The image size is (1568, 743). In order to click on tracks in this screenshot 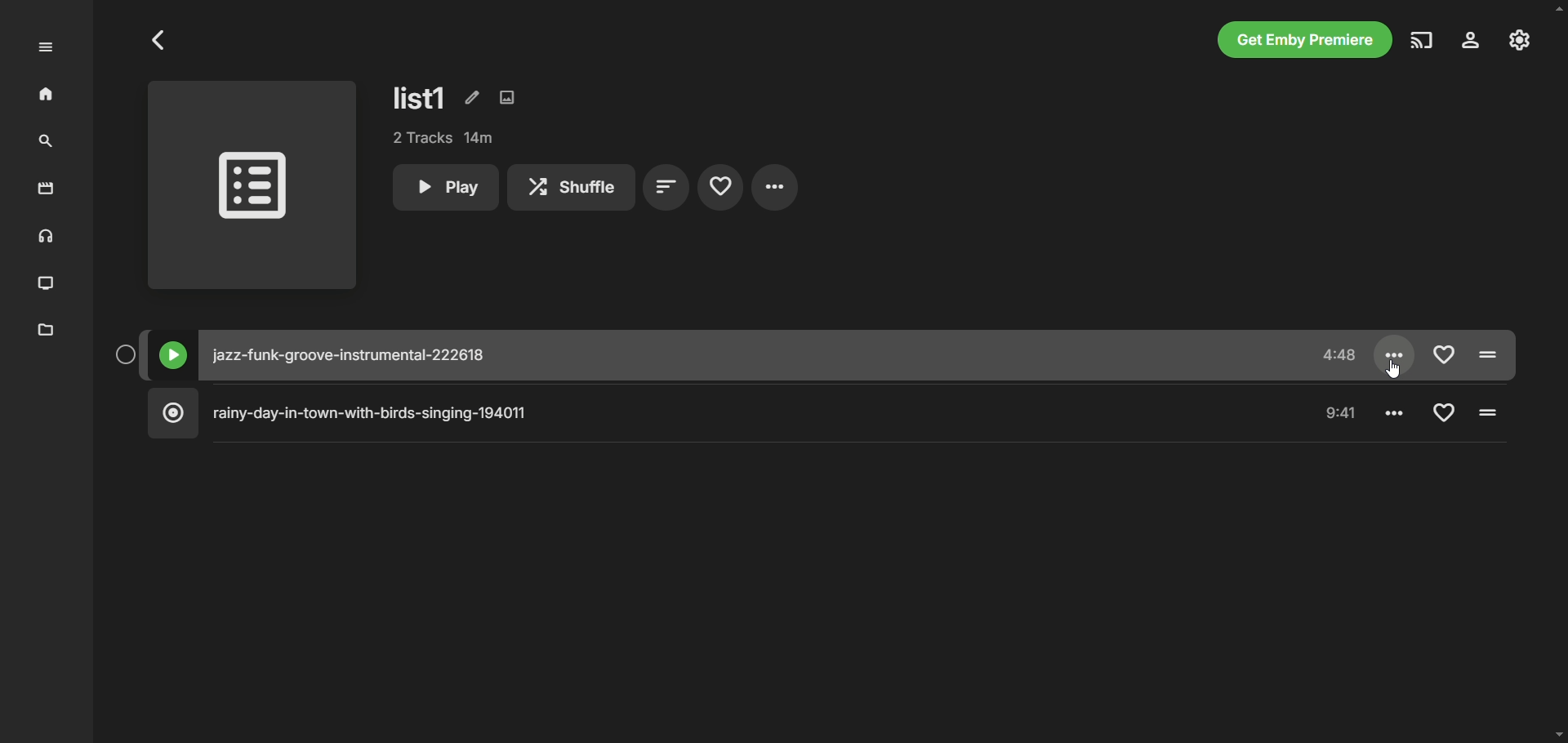, I will do `click(444, 138)`.